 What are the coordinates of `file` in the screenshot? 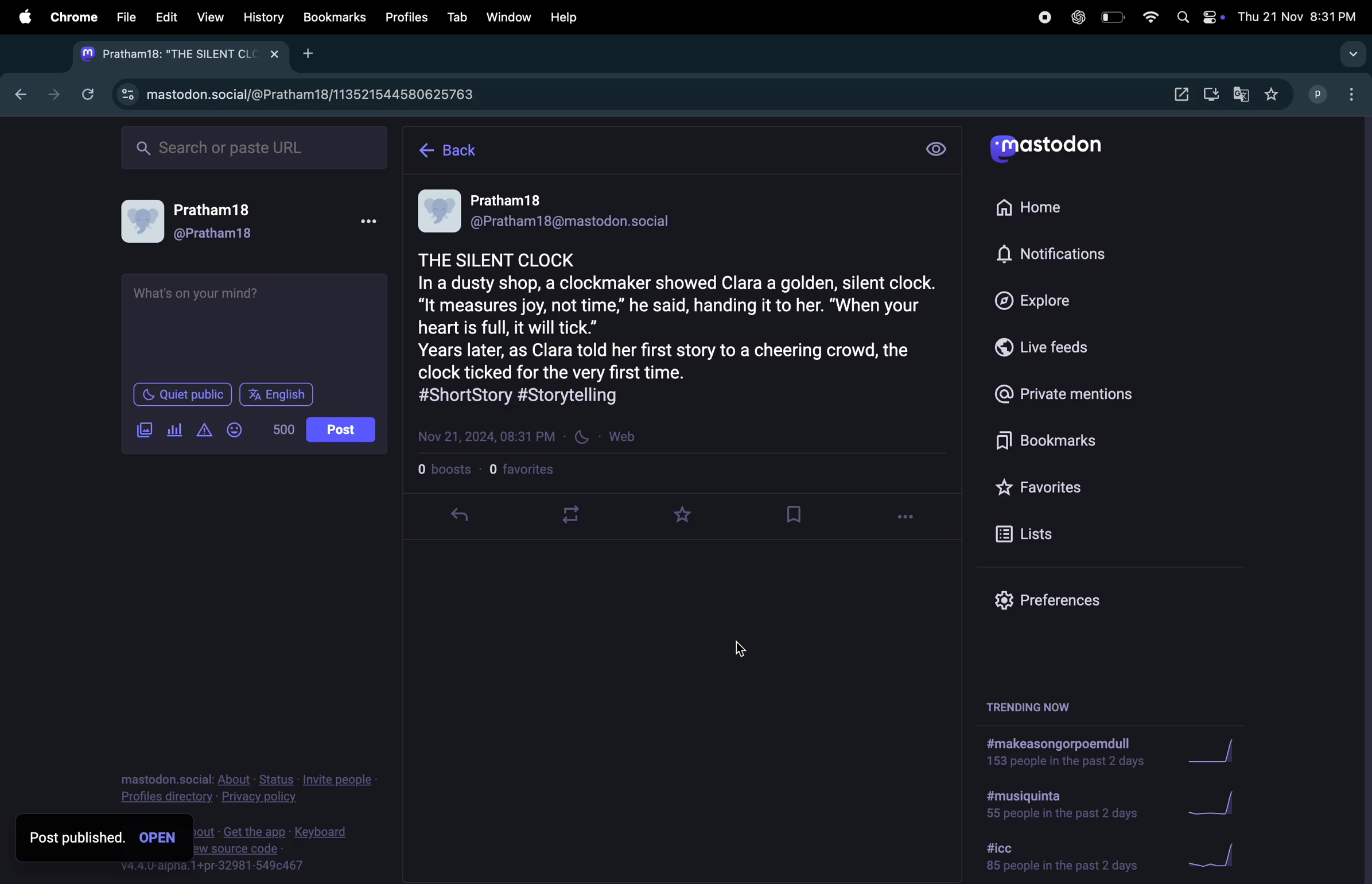 It's located at (127, 18).